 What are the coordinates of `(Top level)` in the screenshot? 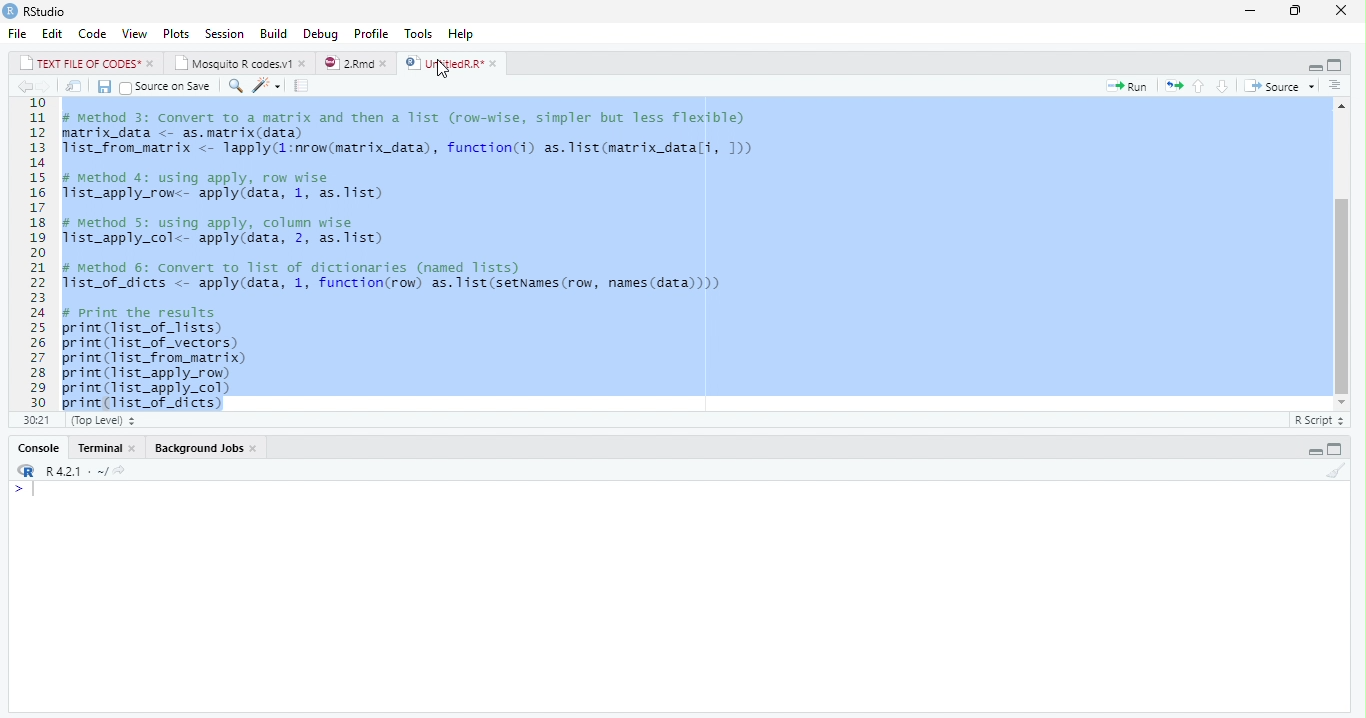 It's located at (107, 421).